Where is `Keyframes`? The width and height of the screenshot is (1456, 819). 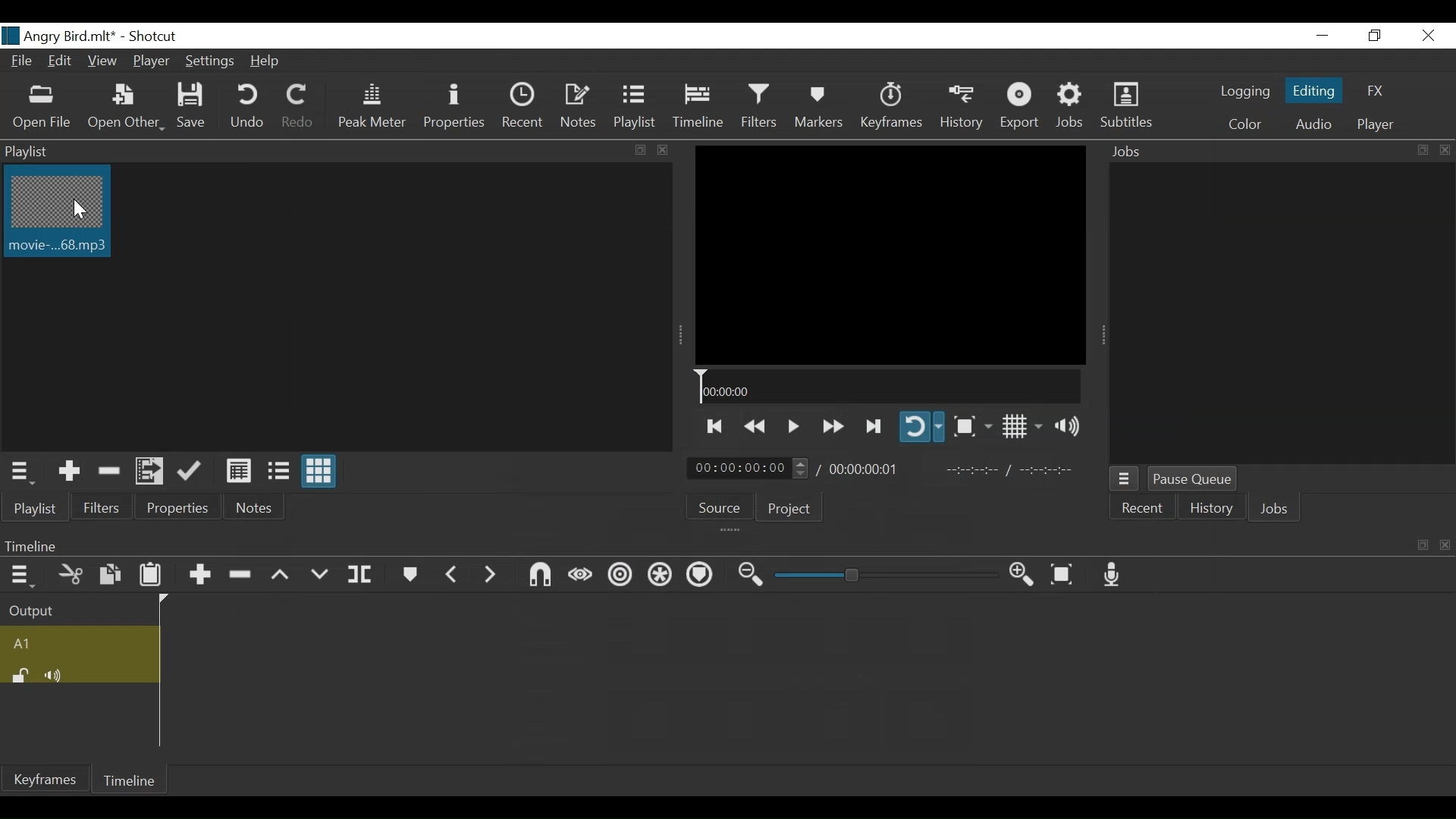
Keyframes is located at coordinates (890, 106).